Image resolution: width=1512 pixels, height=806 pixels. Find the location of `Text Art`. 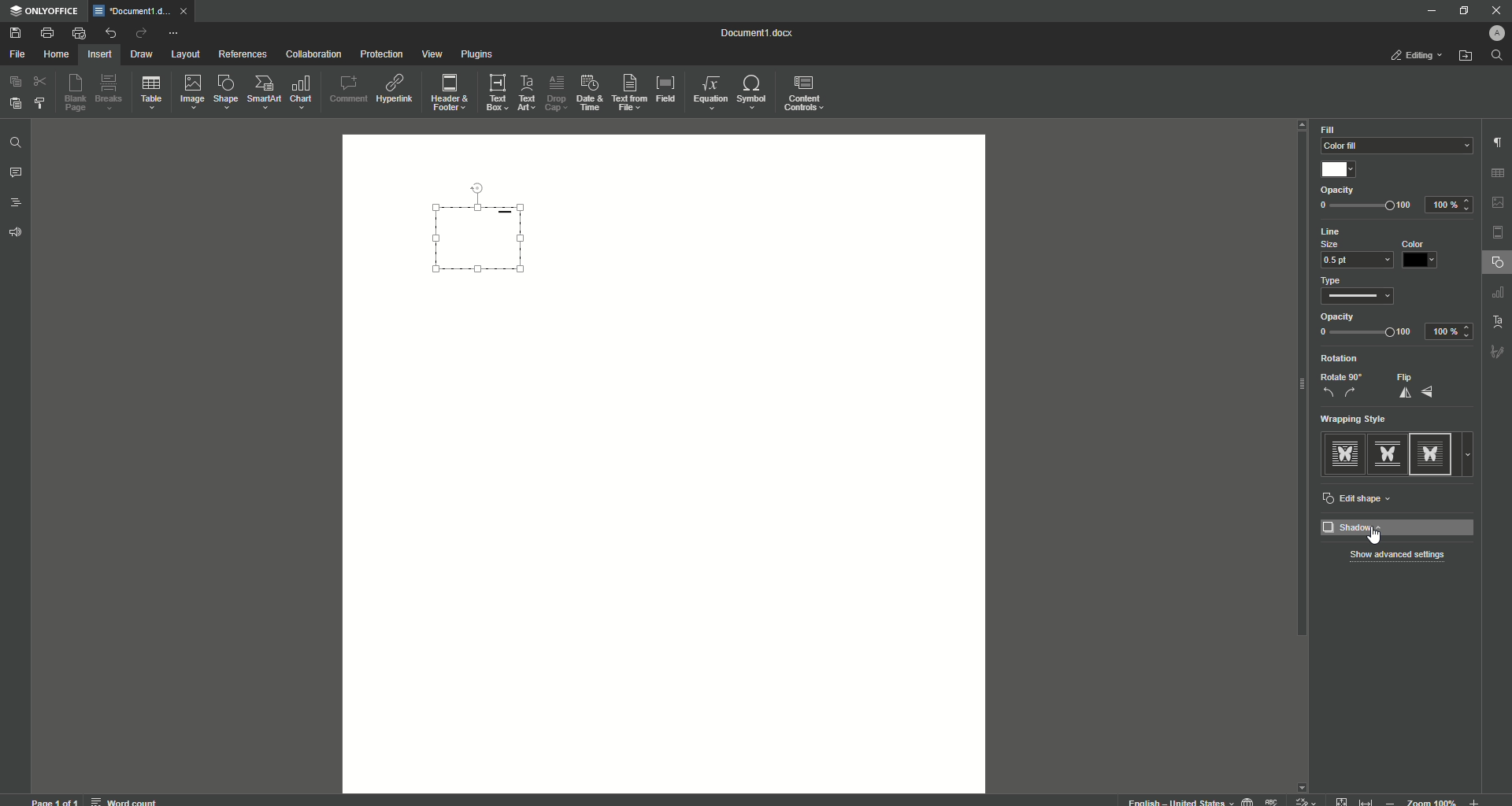

Text Art is located at coordinates (524, 94).